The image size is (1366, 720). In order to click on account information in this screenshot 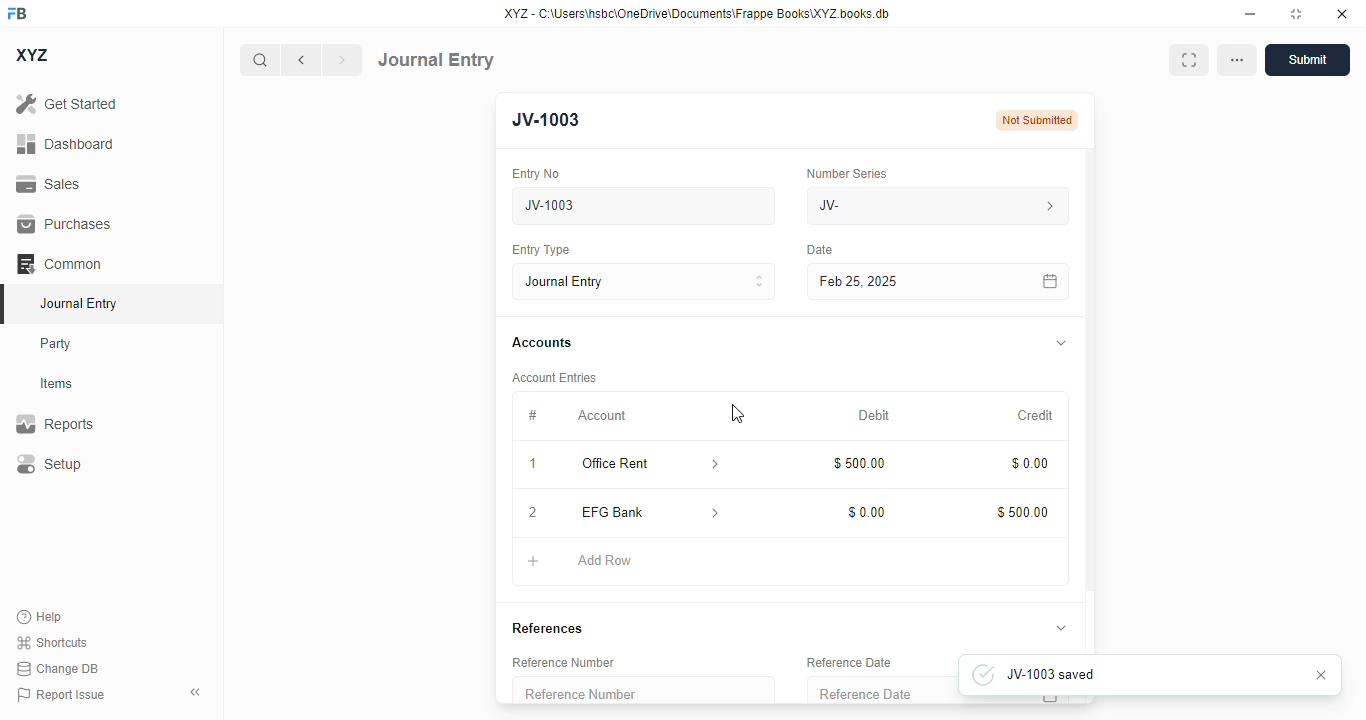, I will do `click(717, 513)`.